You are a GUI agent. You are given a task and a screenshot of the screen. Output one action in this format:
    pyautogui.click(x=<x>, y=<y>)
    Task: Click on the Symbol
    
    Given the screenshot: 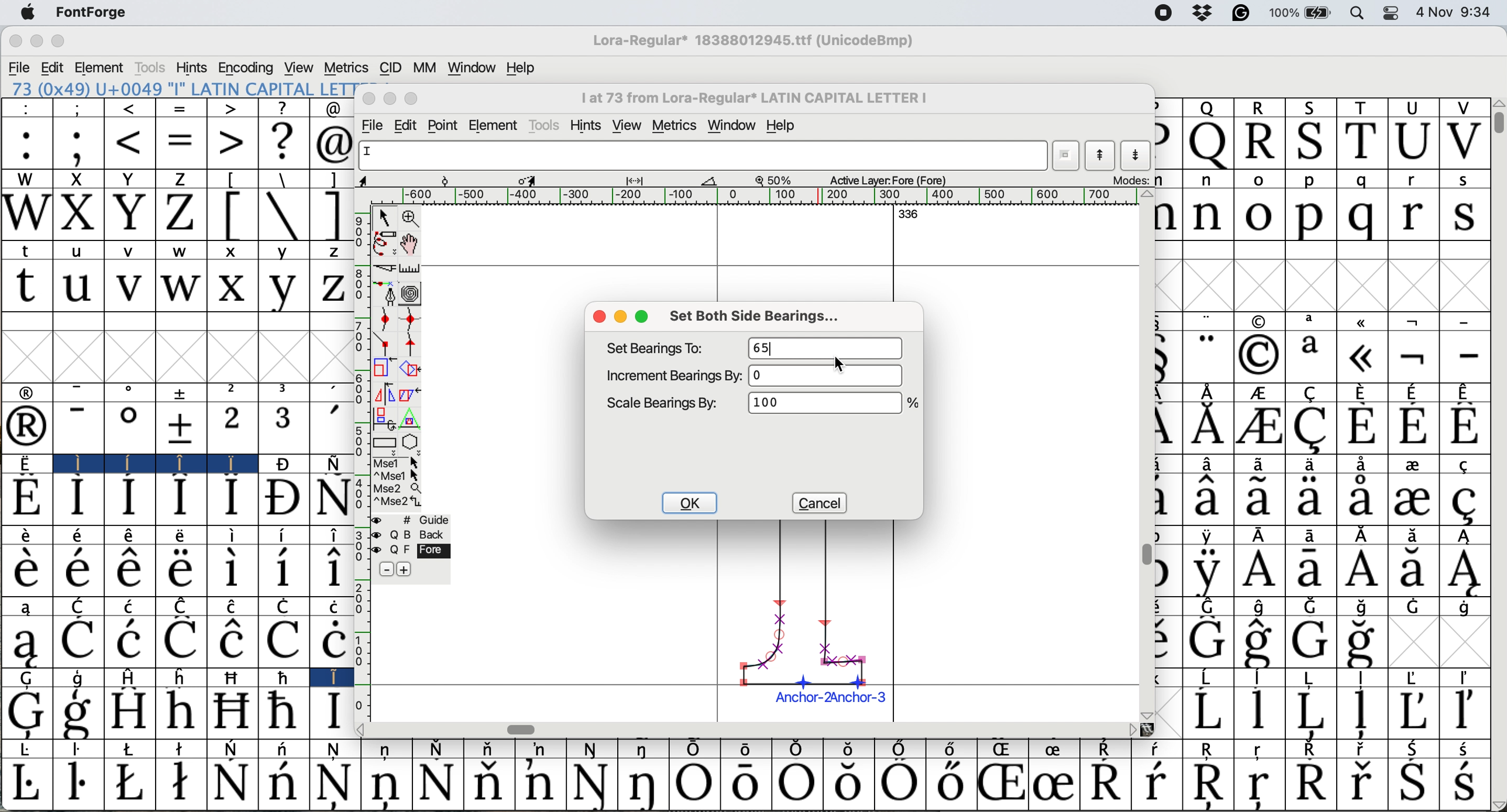 What is the action you would take?
    pyautogui.click(x=1264, y=677)
    